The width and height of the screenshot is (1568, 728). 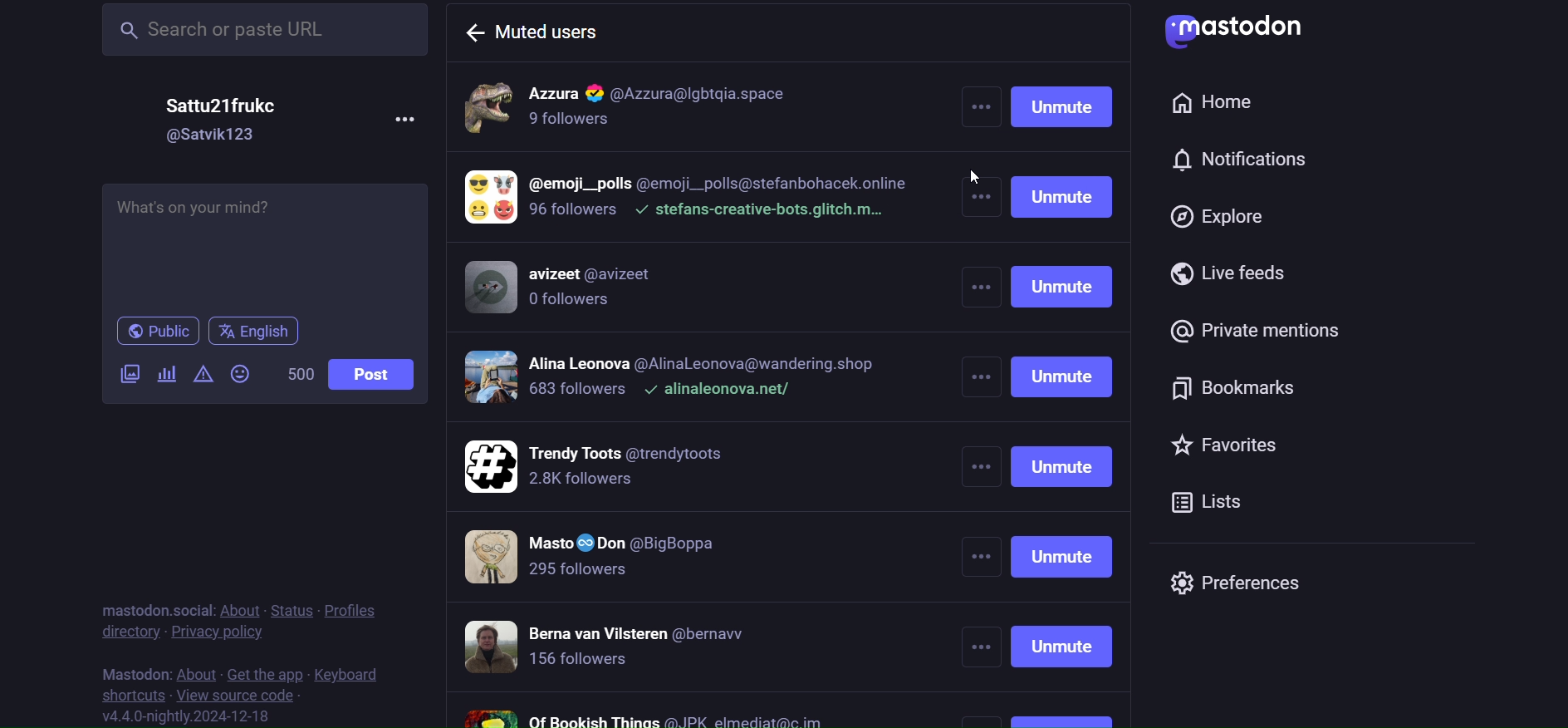 I want to click on muted users, so click(x=541, y=30).